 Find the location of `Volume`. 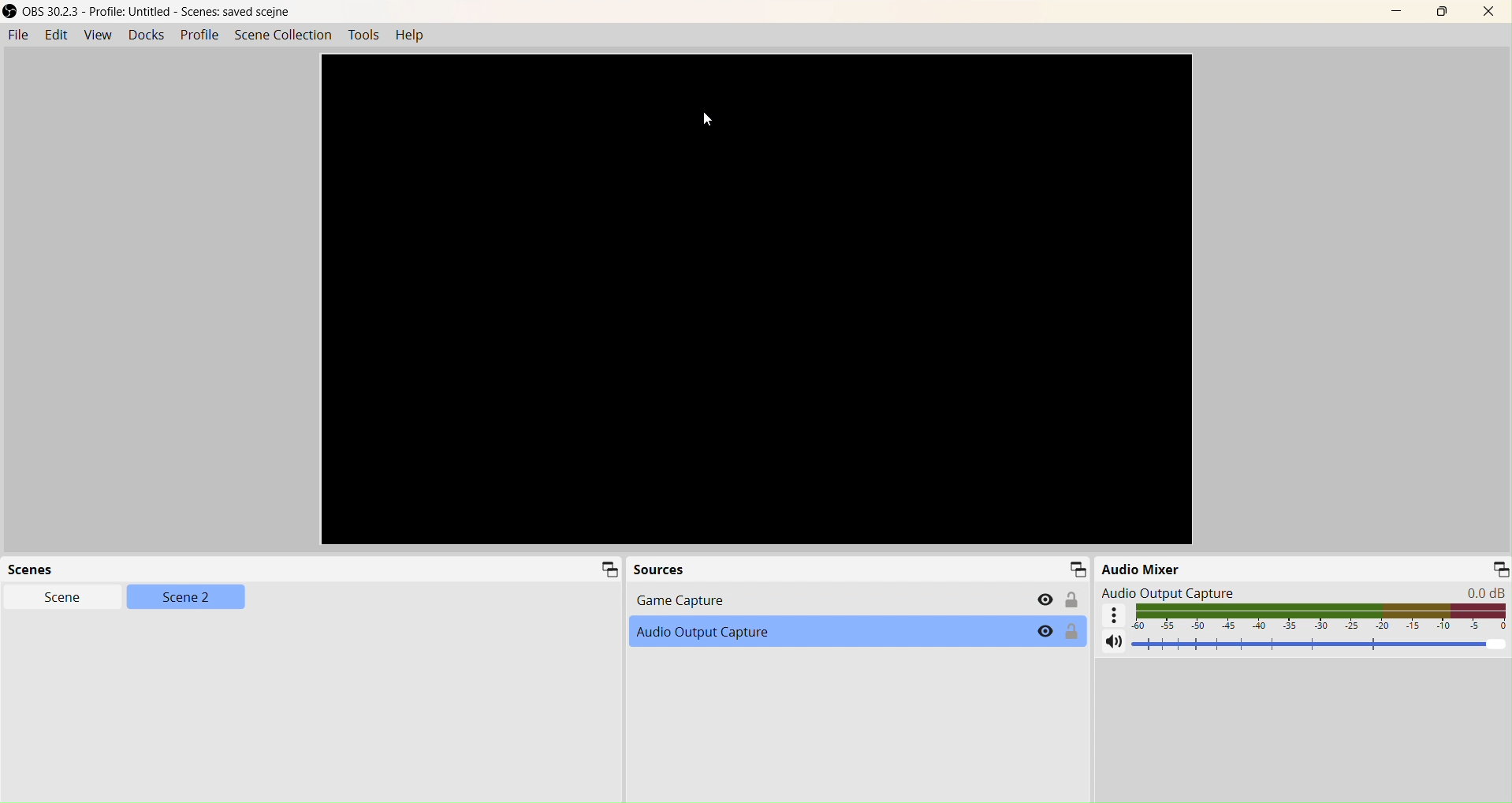

Volume is located at coordinates (1298, 644).